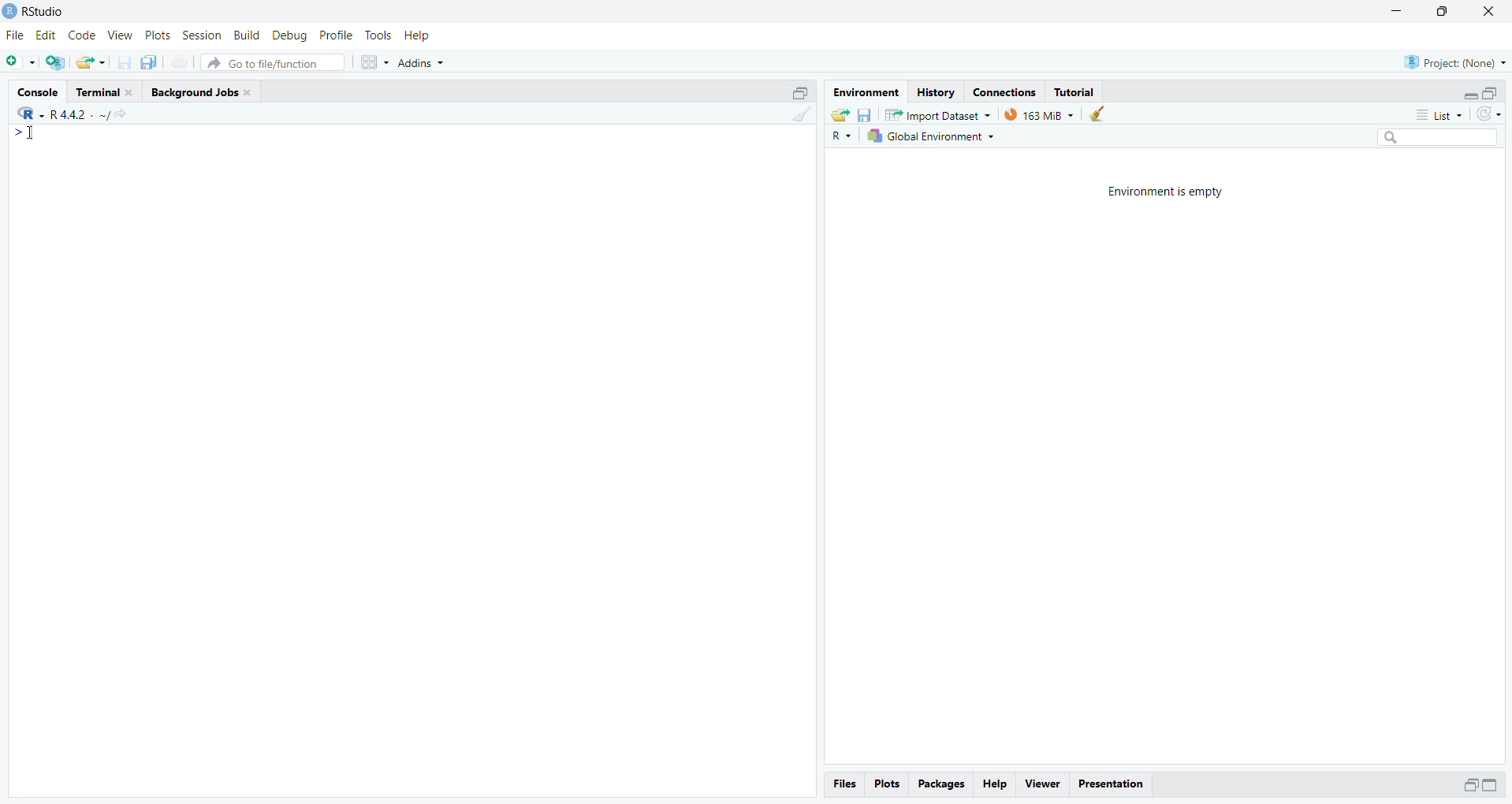  Describe the element at coordinates (1488, 94) in the screenshot. I see `open in separate window` at that location.